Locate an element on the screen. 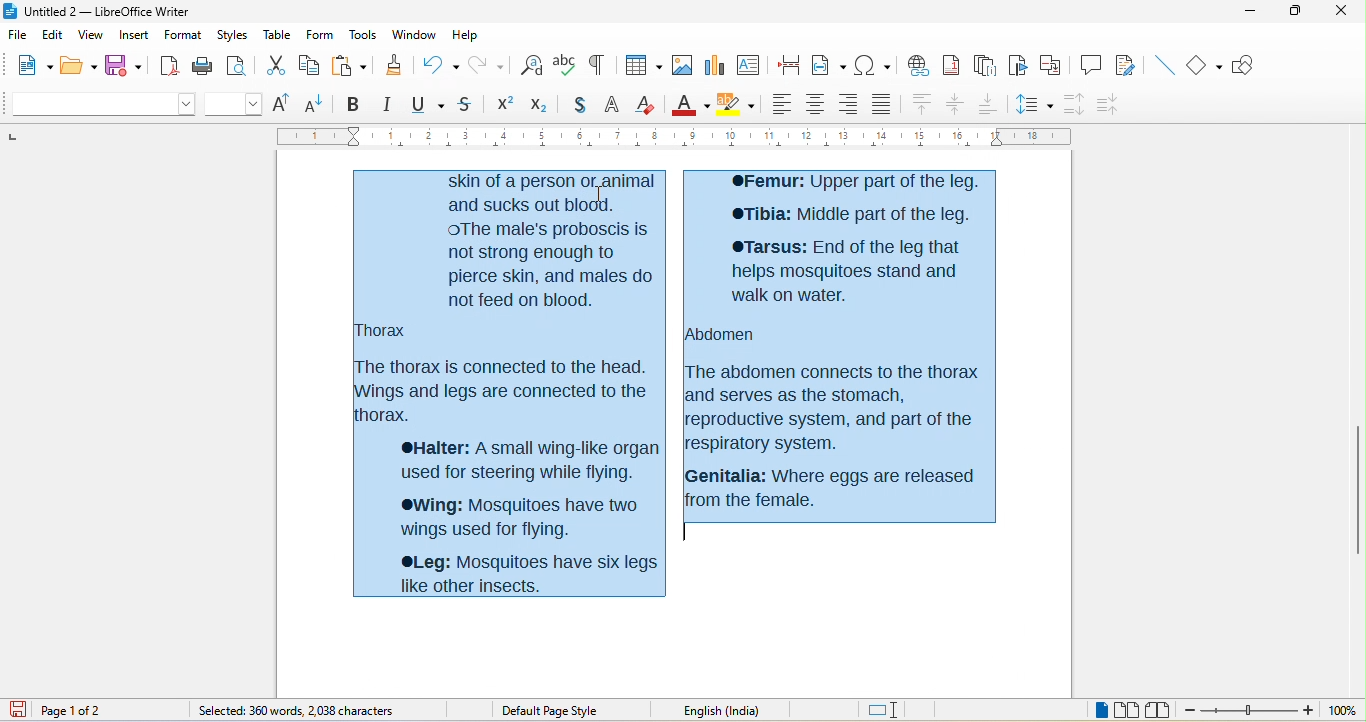 This screenshot has height=722, width=1366. field is located at coordinates (829, 65).